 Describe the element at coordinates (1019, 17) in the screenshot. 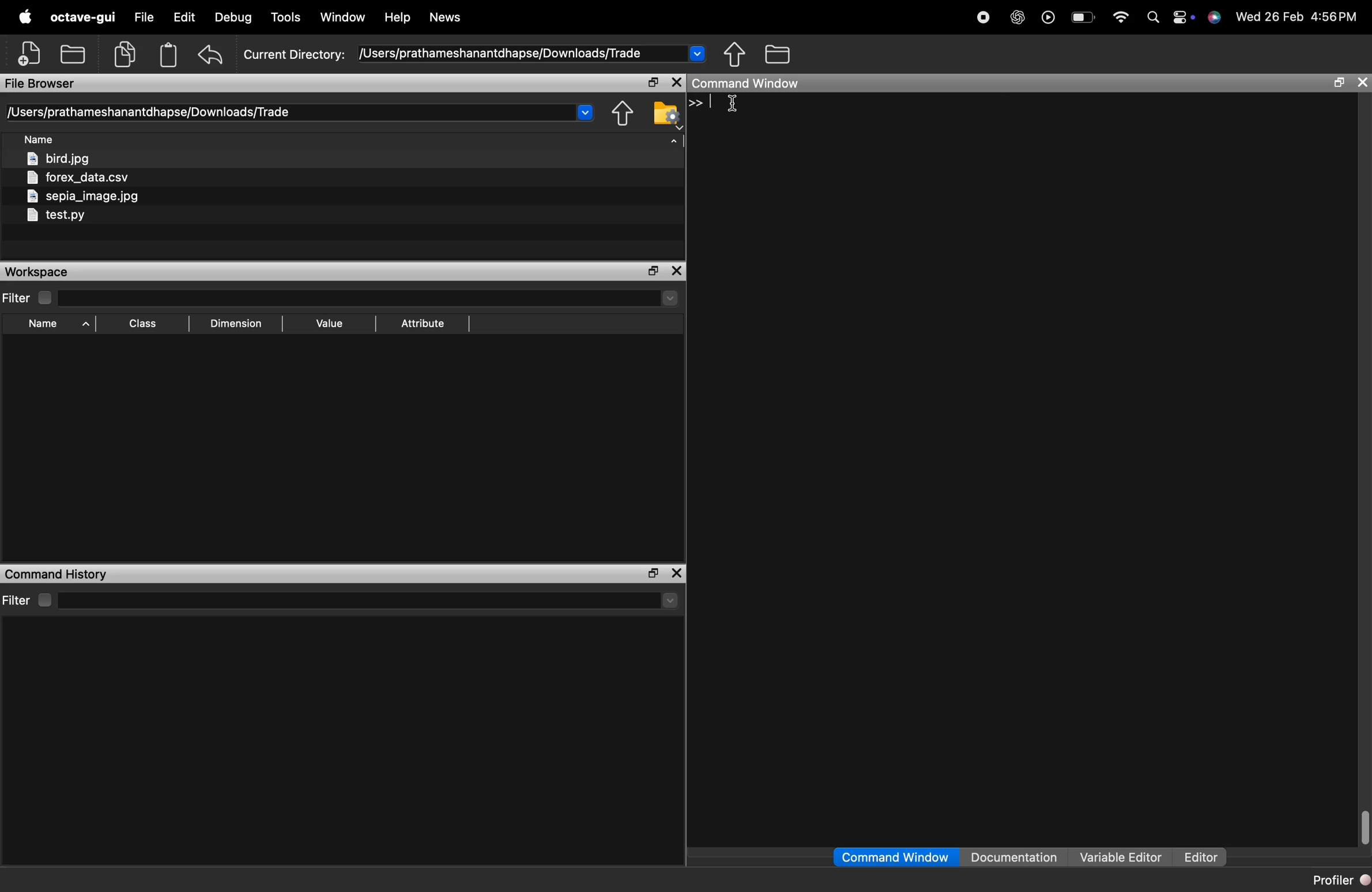

I see `chat gpt` at that location.